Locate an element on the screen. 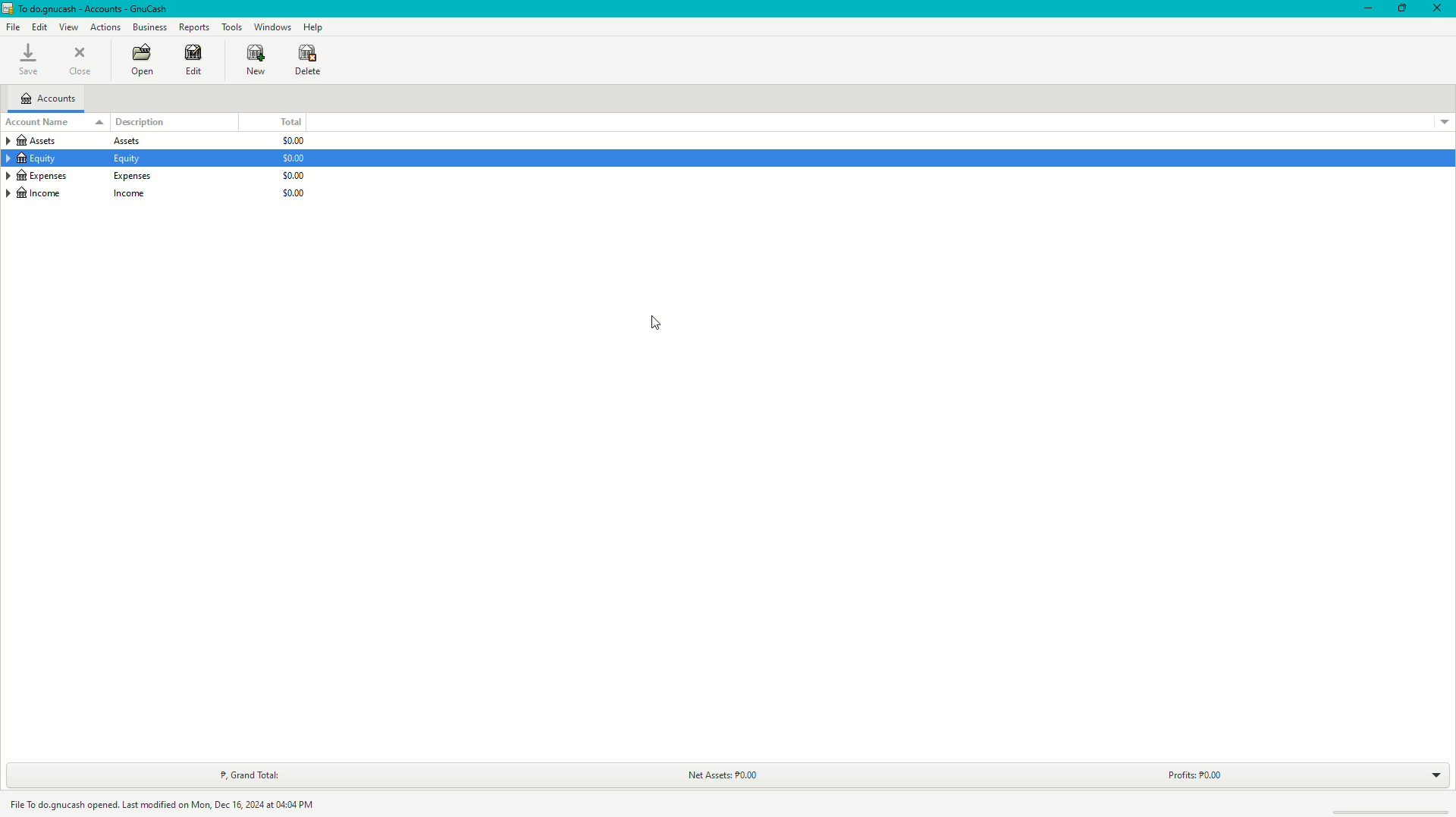 The width and height of the screenshot is (1456, 817). Grand Total is located at coordinates (246, 775).